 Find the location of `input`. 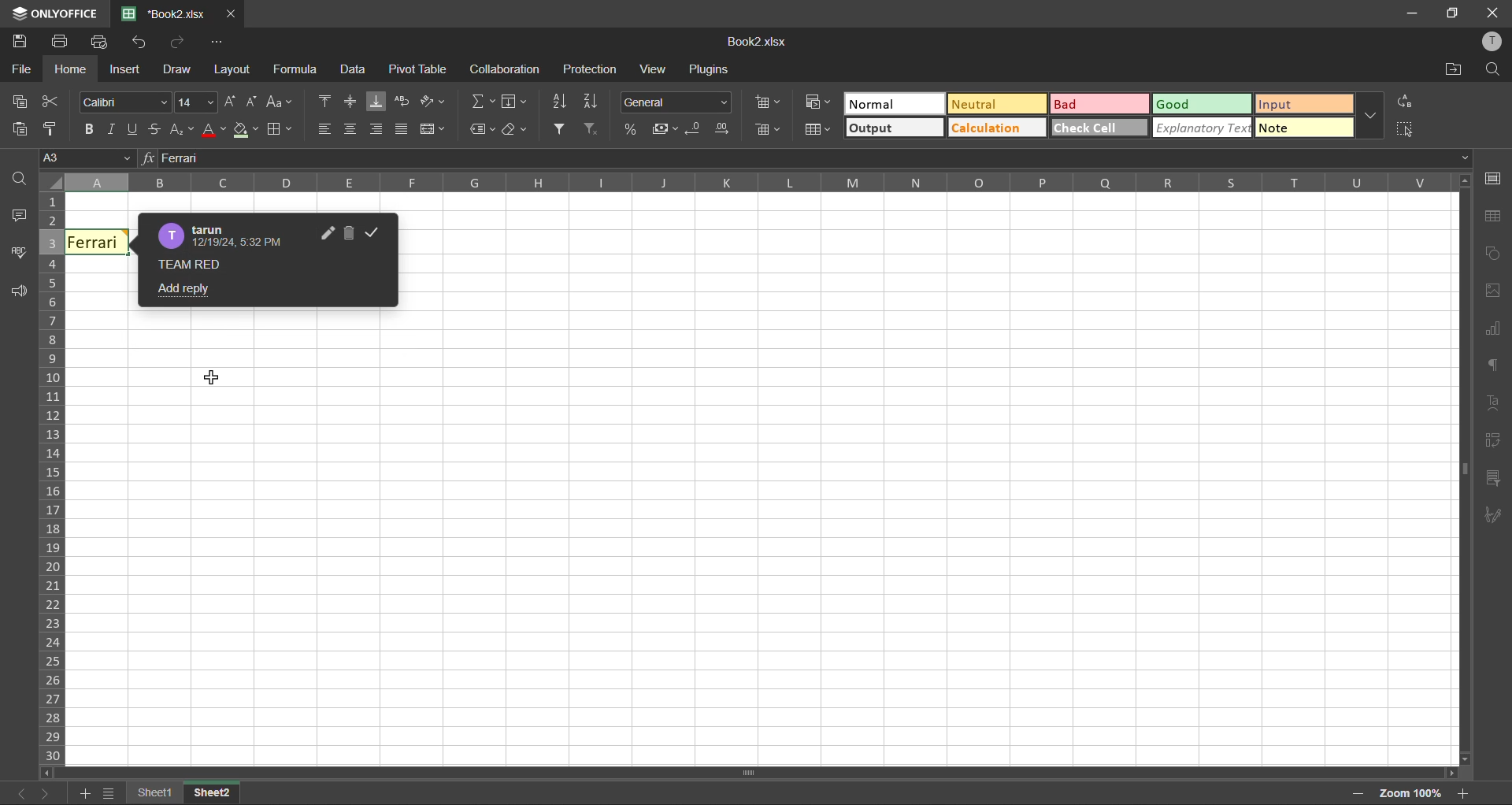

input is located at coordinates (1299, 103).